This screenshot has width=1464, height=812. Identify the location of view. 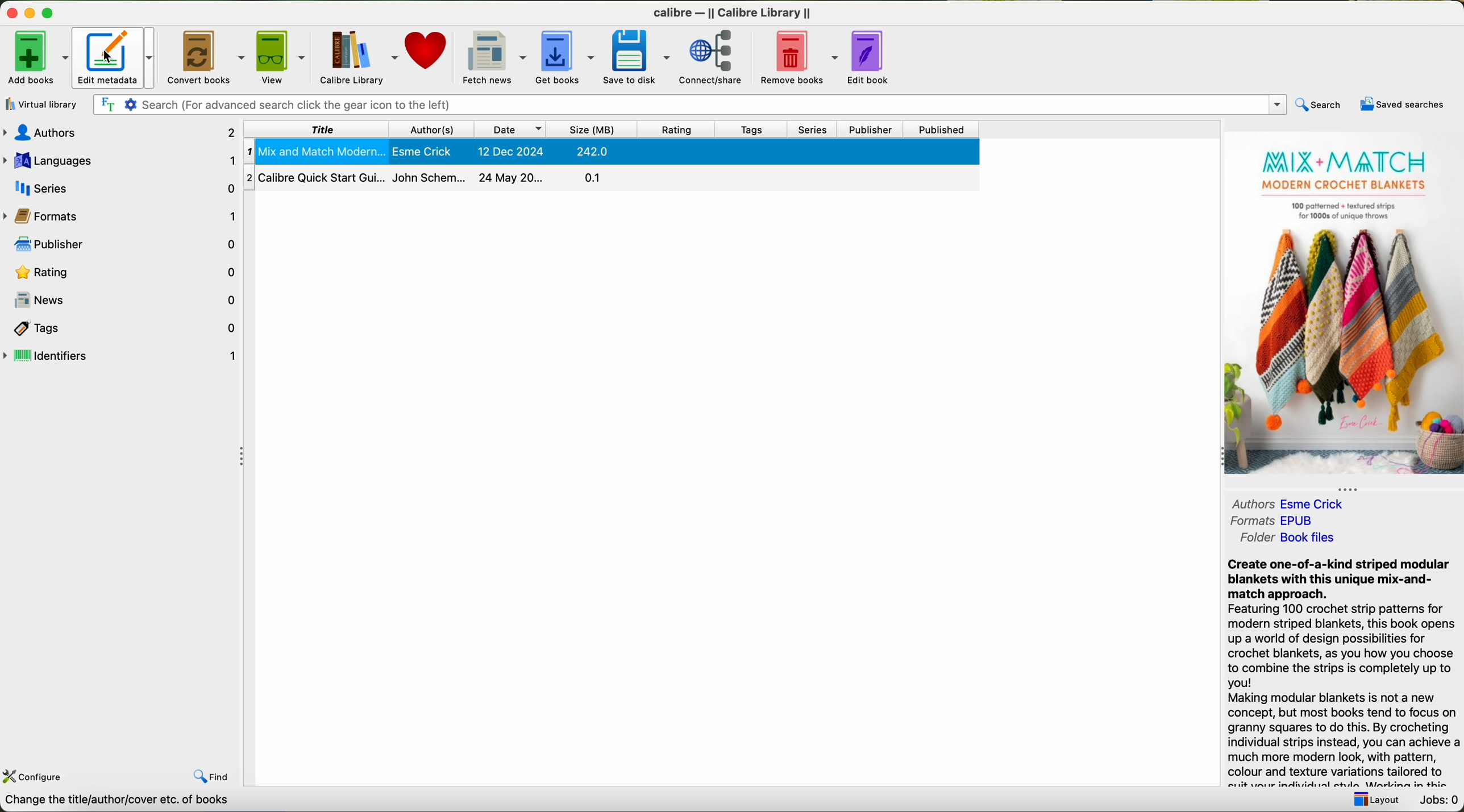
(282, 55).